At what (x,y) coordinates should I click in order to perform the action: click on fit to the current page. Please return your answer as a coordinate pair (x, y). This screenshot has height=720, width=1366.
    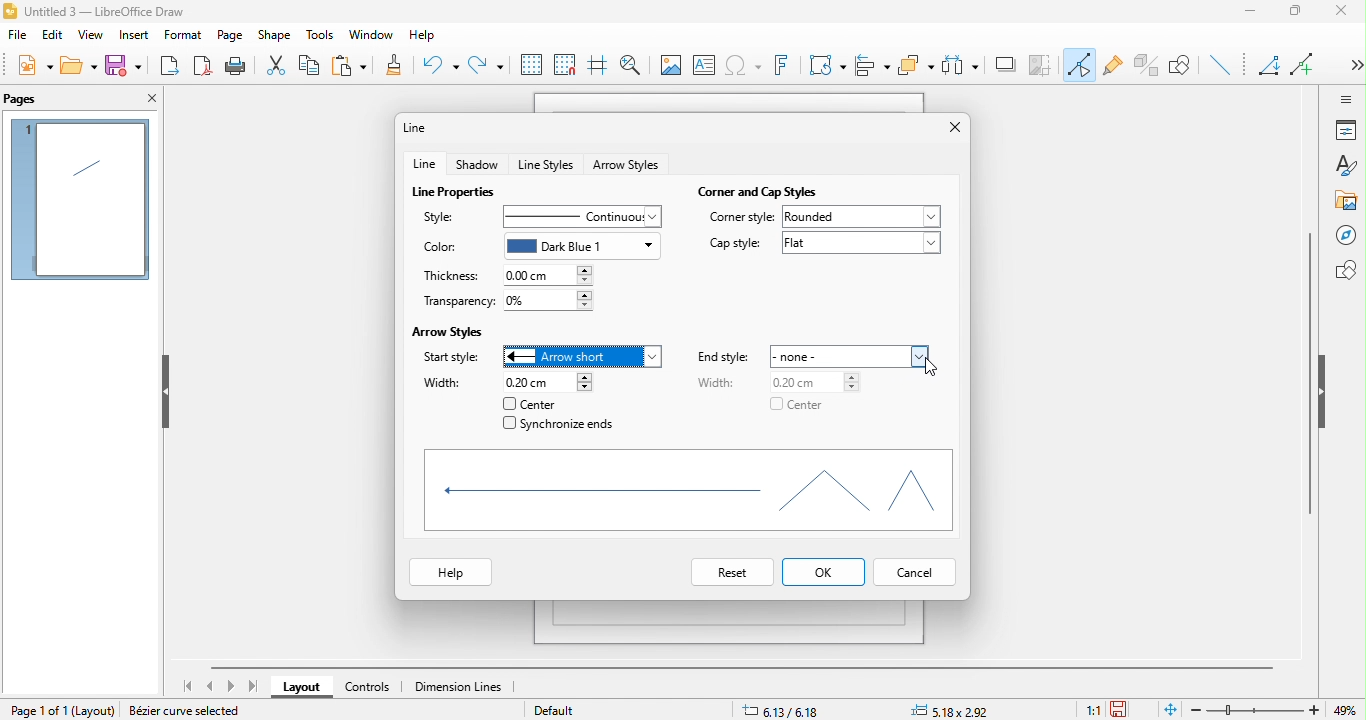
    Looking at the image, I should click on (1168, 709).